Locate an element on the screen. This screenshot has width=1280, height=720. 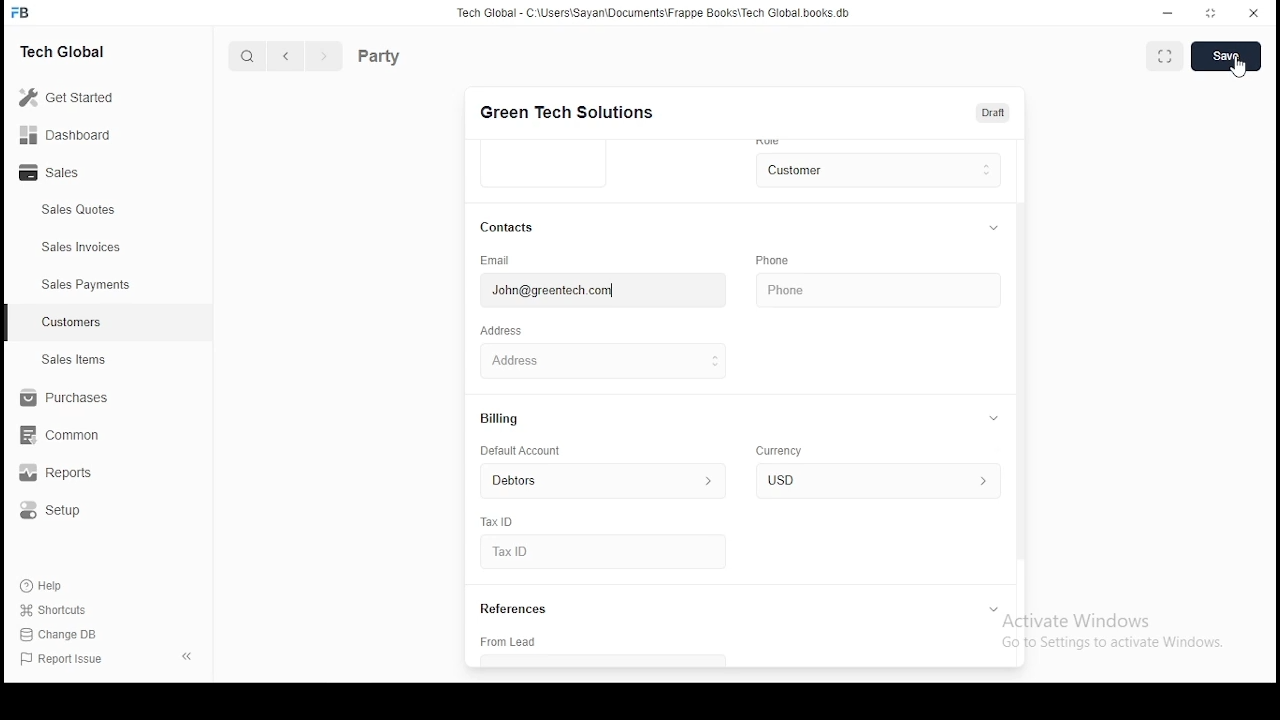
Help is located at coordinates (44, 589).